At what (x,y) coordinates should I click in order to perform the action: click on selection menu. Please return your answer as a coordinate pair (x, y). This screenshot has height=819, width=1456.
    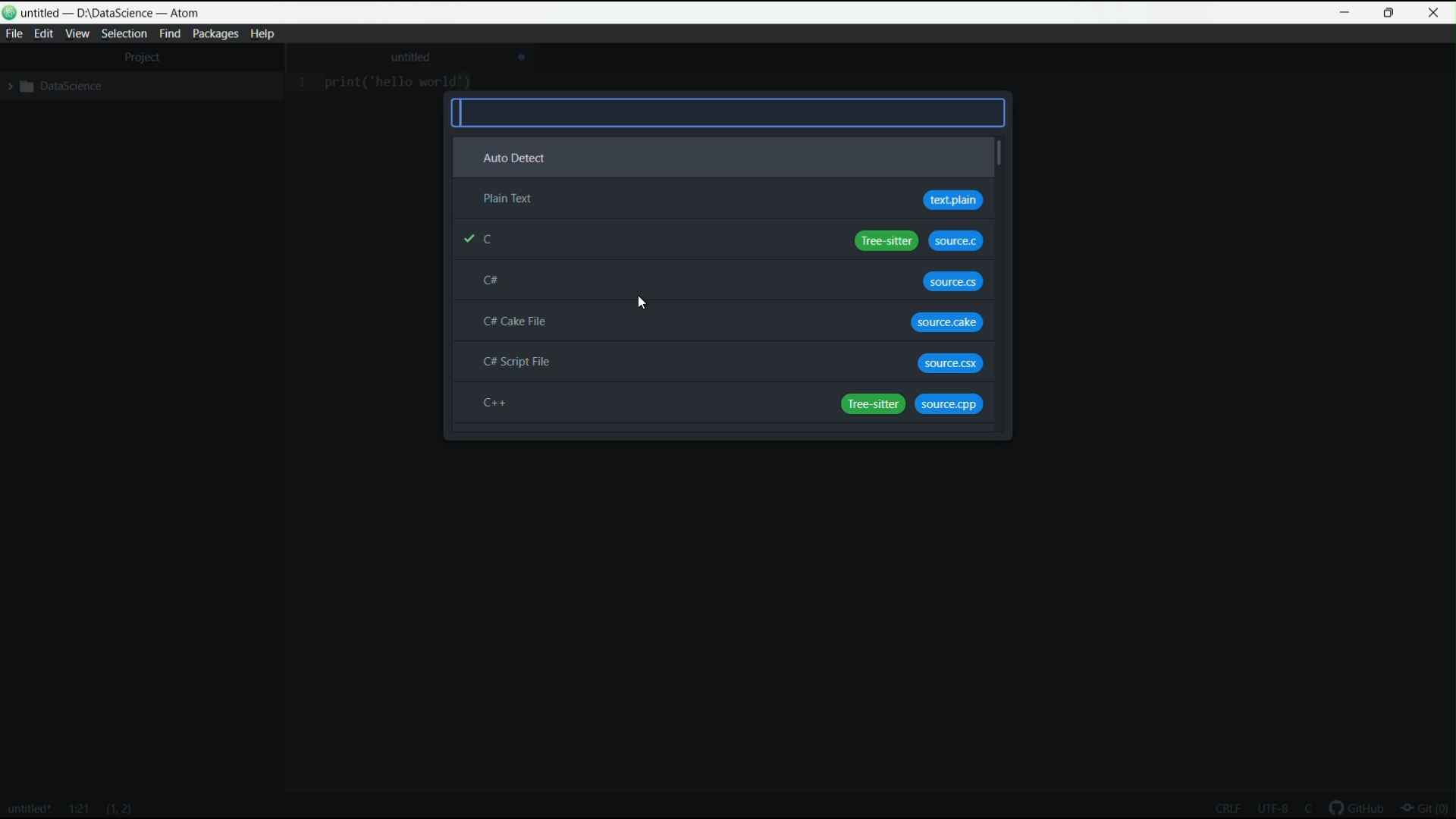
    Looking at the image, I should click on (124, 34).